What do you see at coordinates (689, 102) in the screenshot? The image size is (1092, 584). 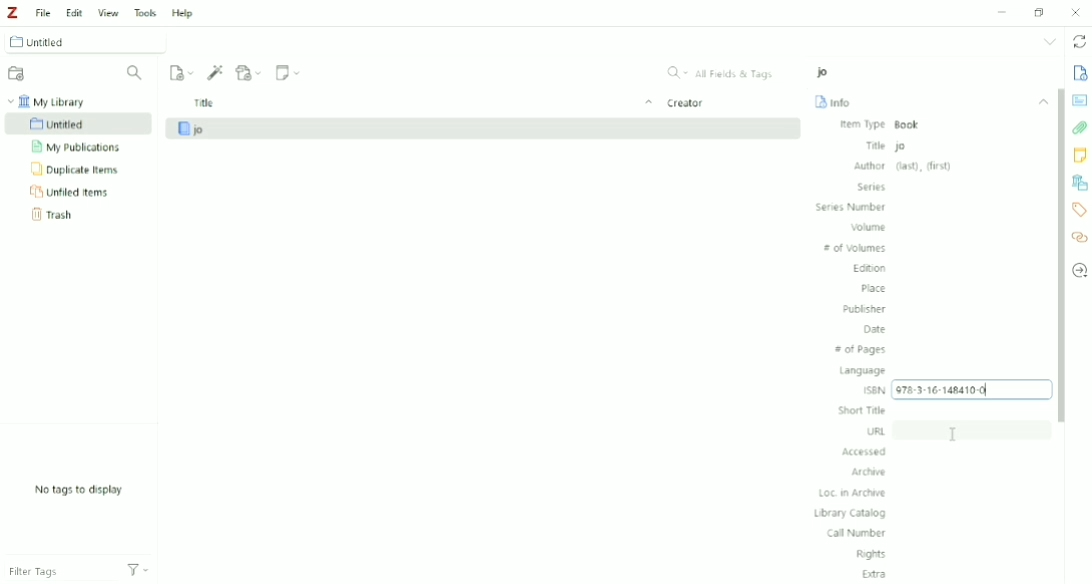 I see `Ceator` at bounding box center [689, 102].